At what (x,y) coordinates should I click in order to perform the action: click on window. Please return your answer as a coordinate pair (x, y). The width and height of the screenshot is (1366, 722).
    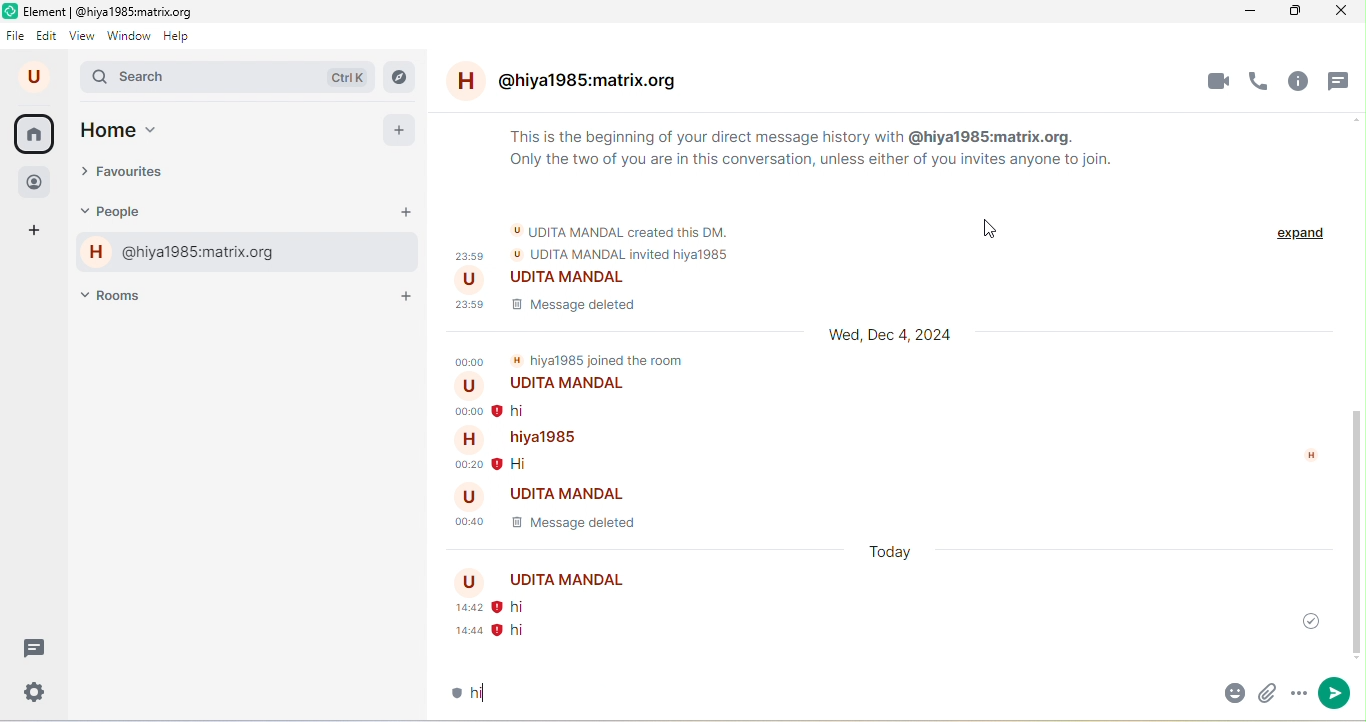
    Looking at the image, I should click on (129, 35).